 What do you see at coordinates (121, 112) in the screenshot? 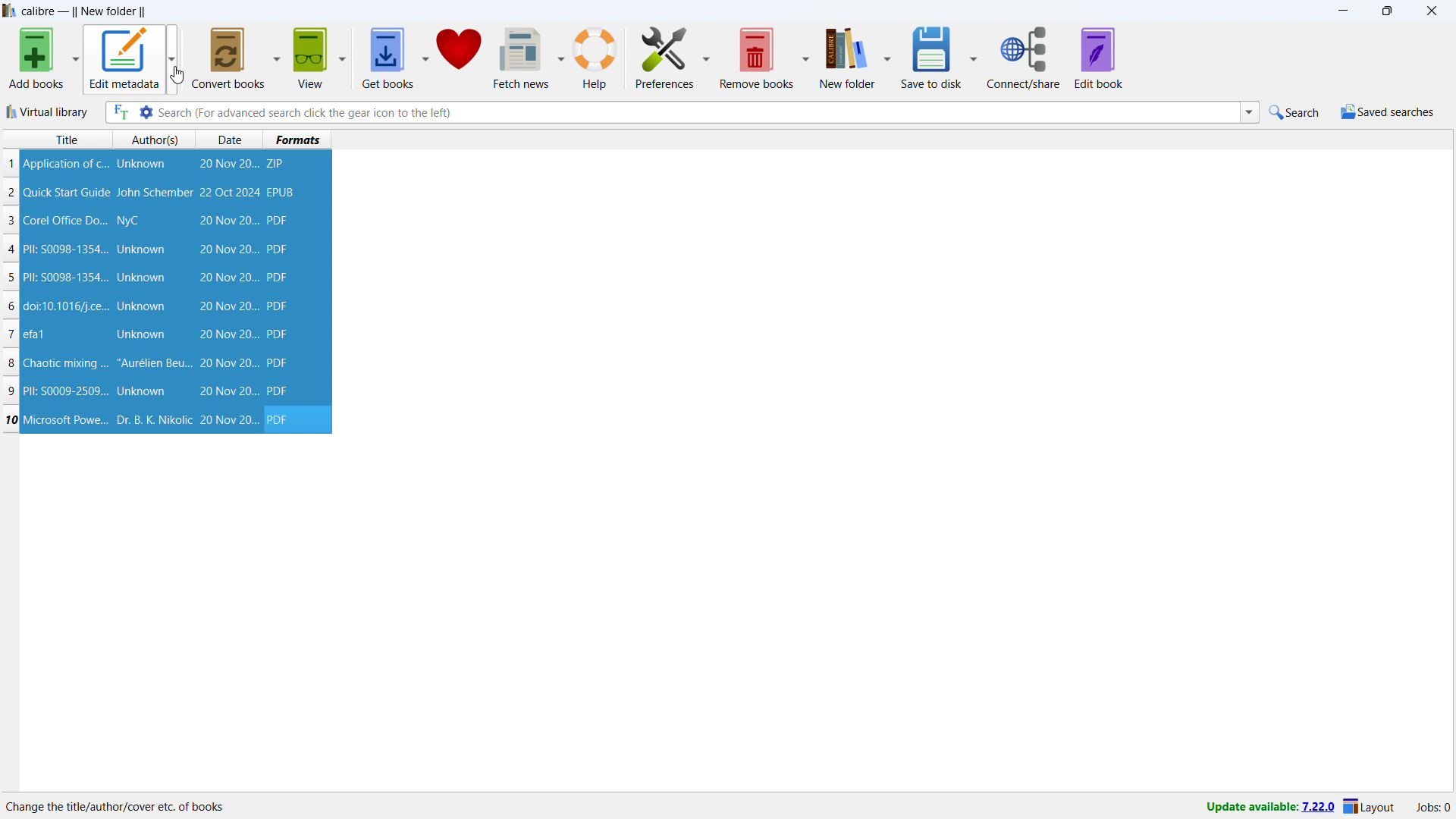
I see `search all text` at bounding box center [121, 112].